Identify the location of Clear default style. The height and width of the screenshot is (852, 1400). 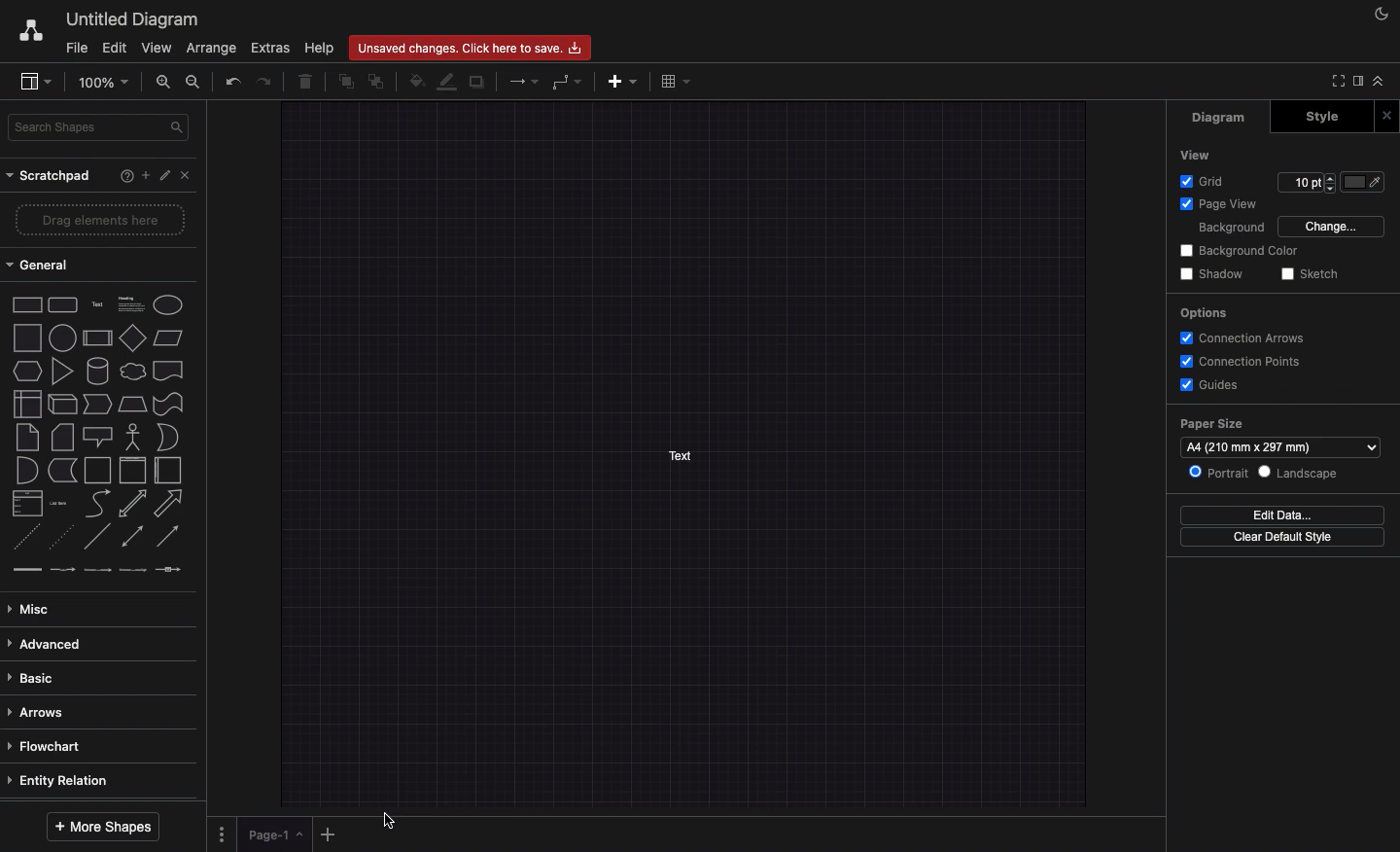
(1286, 538).